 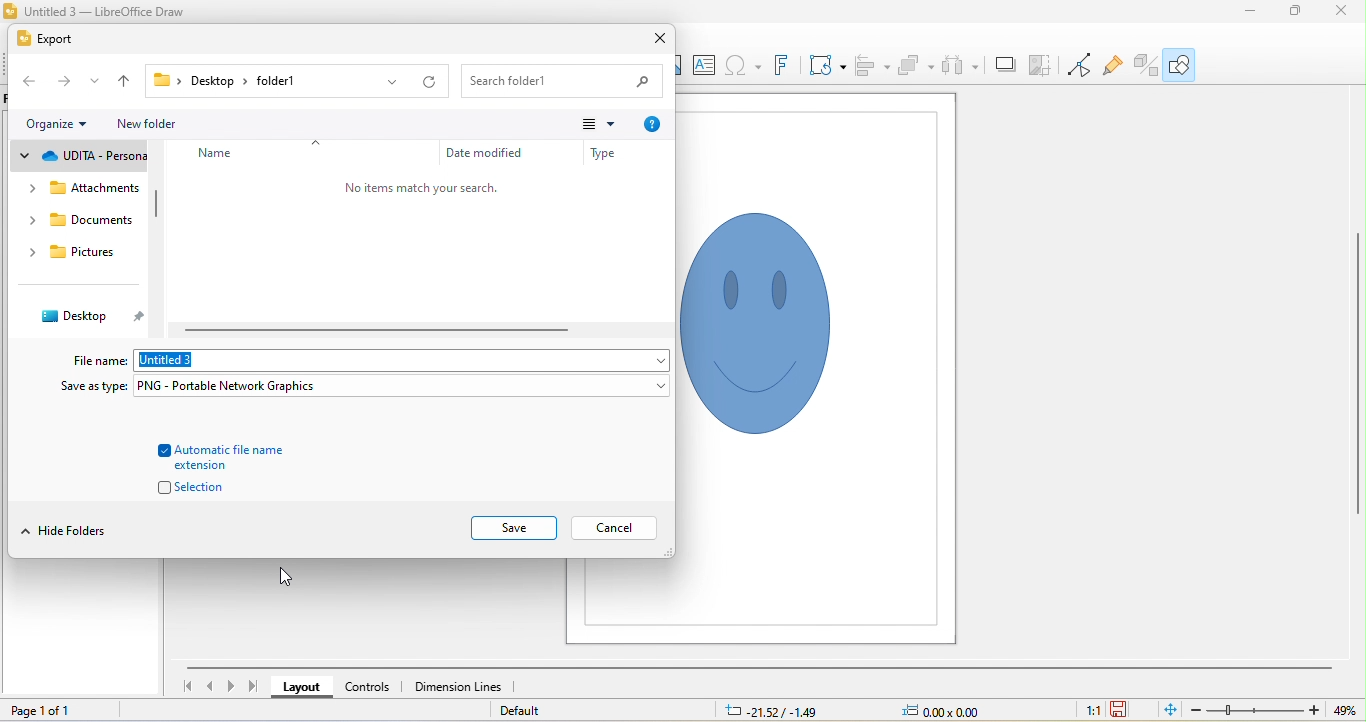 I want to click on organize, so click(x=48, y=123).